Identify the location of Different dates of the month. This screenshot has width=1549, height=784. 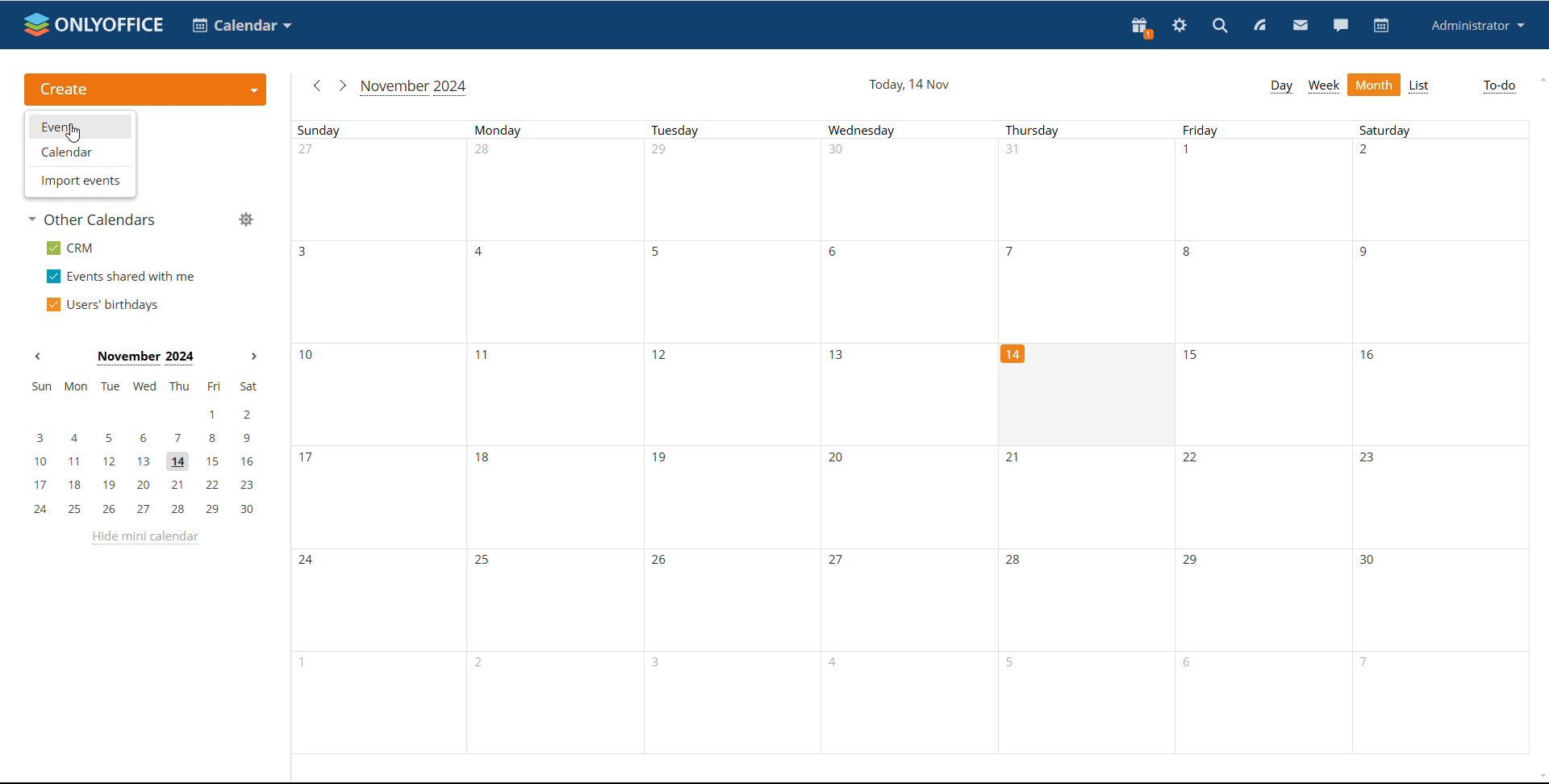
(918, 192).